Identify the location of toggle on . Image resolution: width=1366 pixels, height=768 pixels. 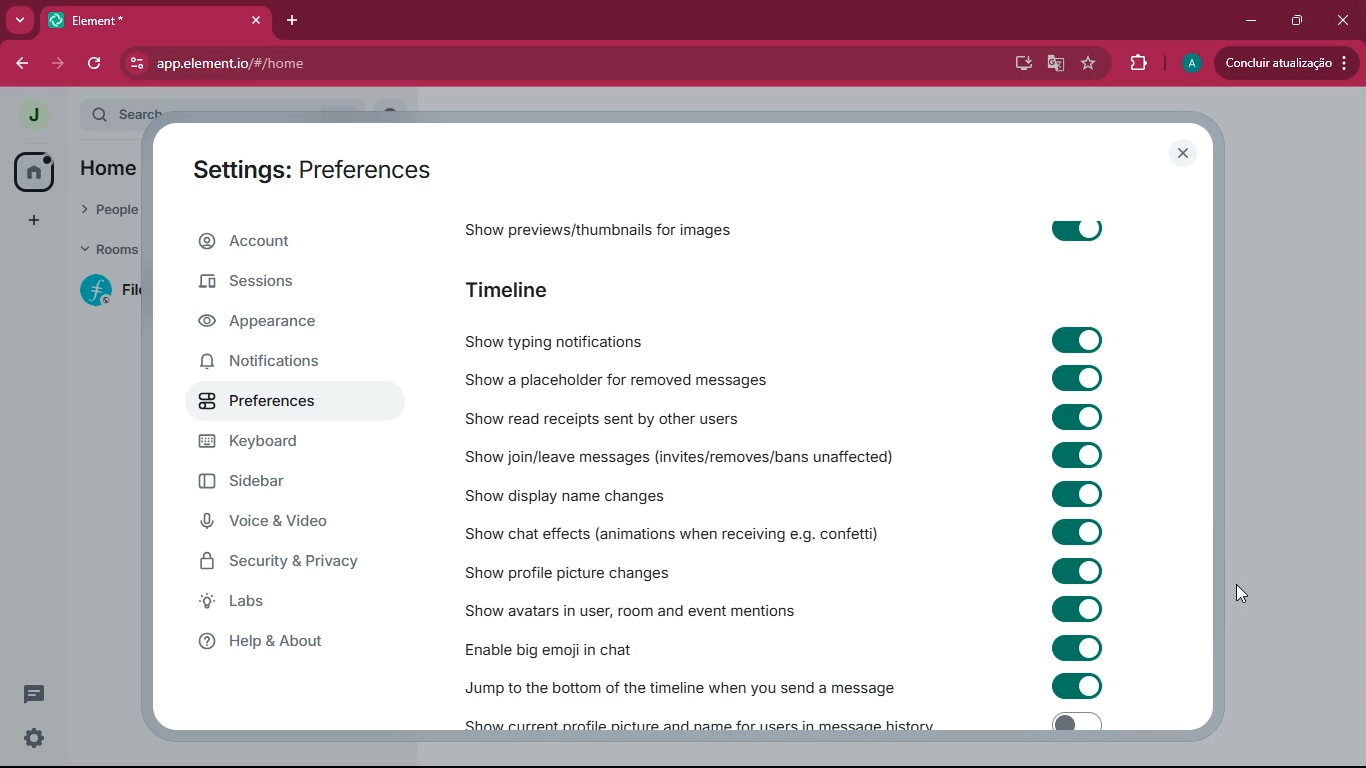
(1073, 340).